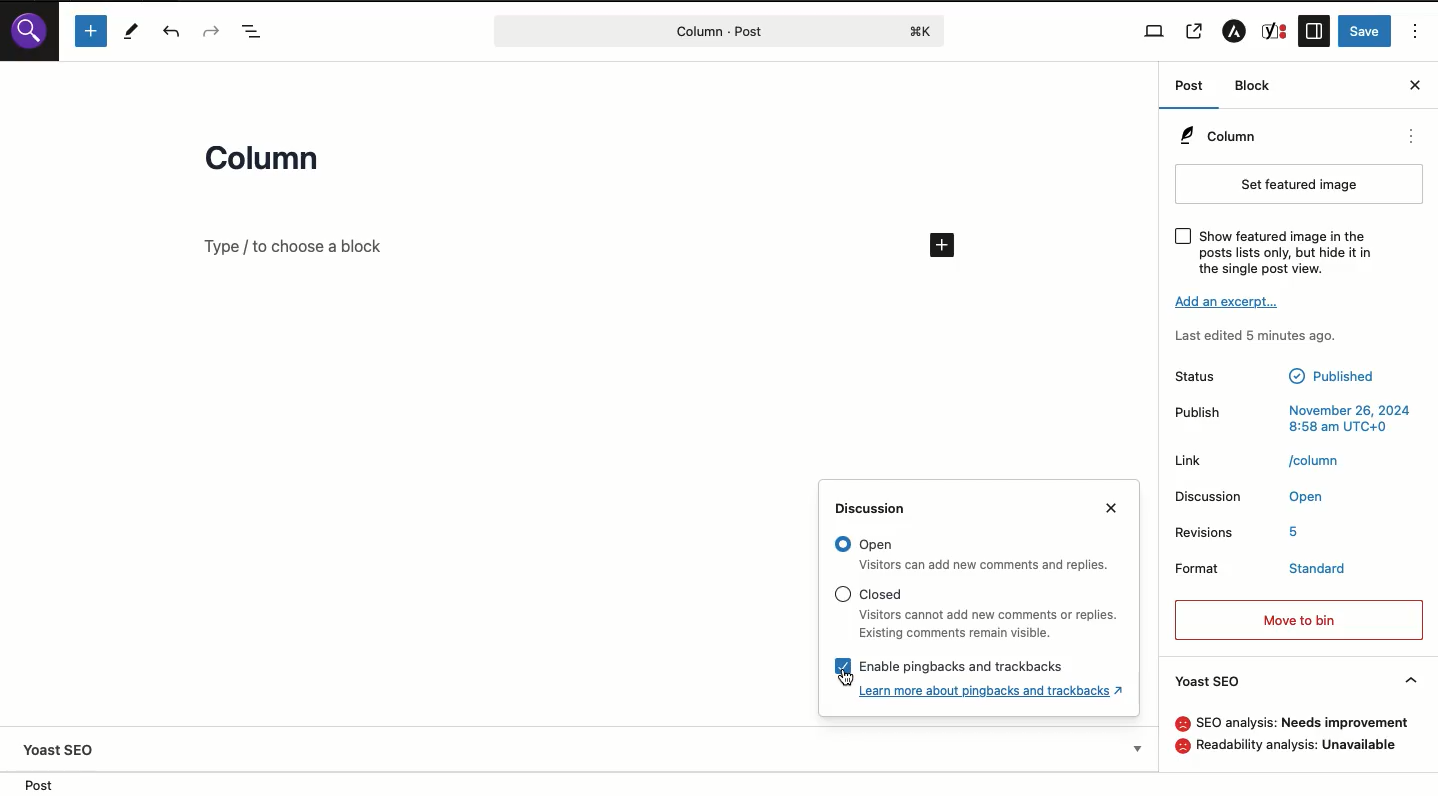 The width and height of the screenshot is (1438, 796). What do you see at coordinates (1206, 529) in the screenshot?
I see `Revisions` at bounding box center [1206, 529].